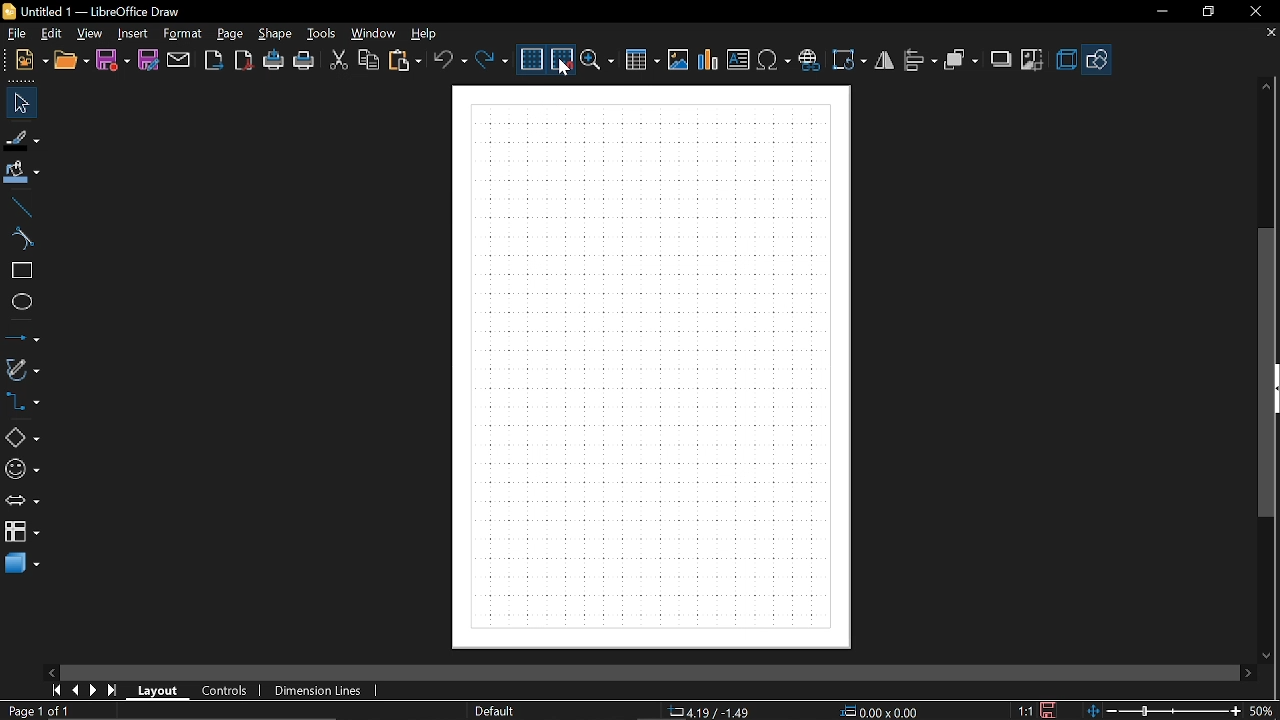 The height and width of the screenshot is (720, 1280). I want to click on go to first page, so click(56, 690).